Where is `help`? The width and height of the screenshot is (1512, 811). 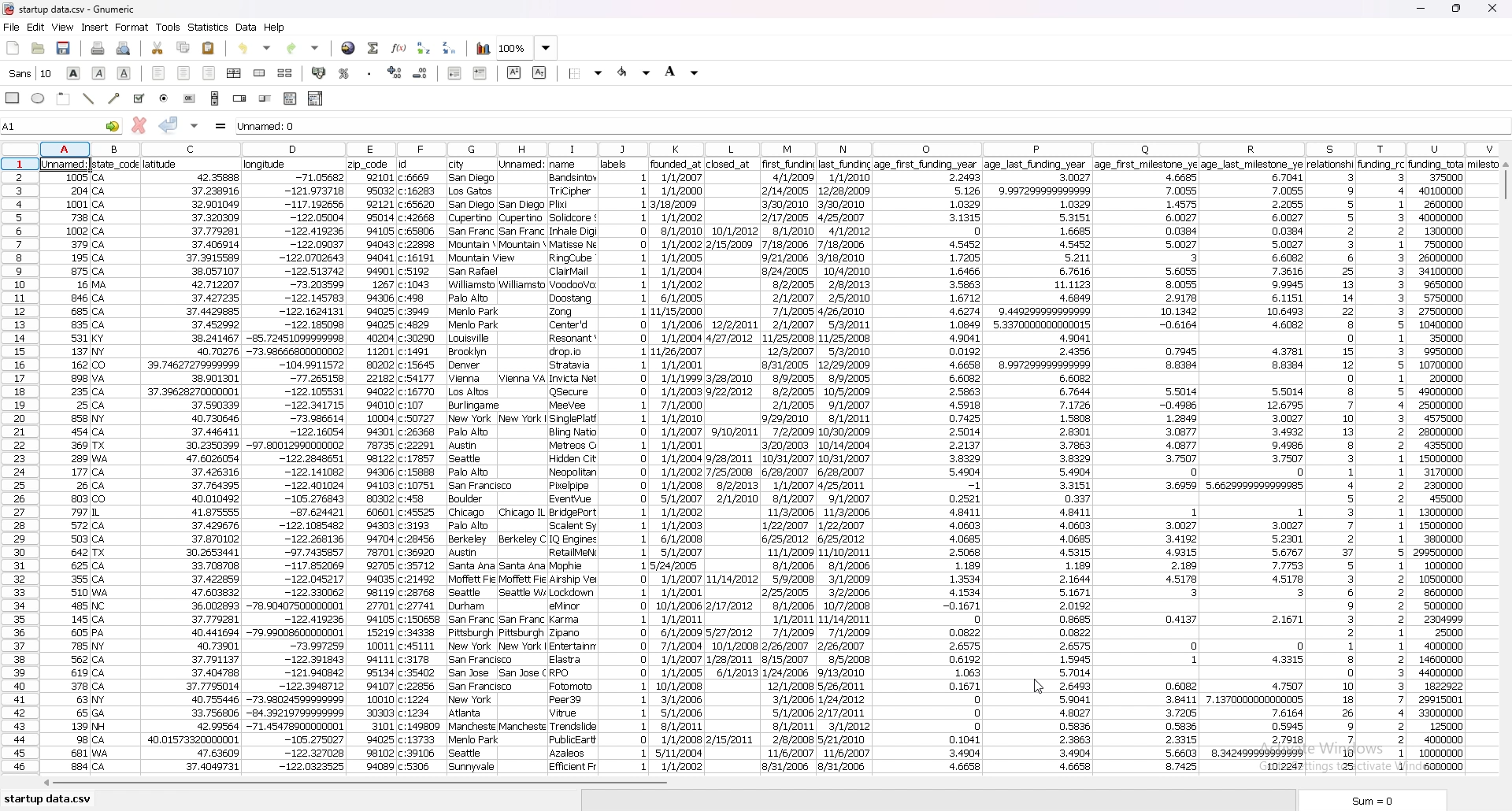
help is located at coordinates (275, 28).